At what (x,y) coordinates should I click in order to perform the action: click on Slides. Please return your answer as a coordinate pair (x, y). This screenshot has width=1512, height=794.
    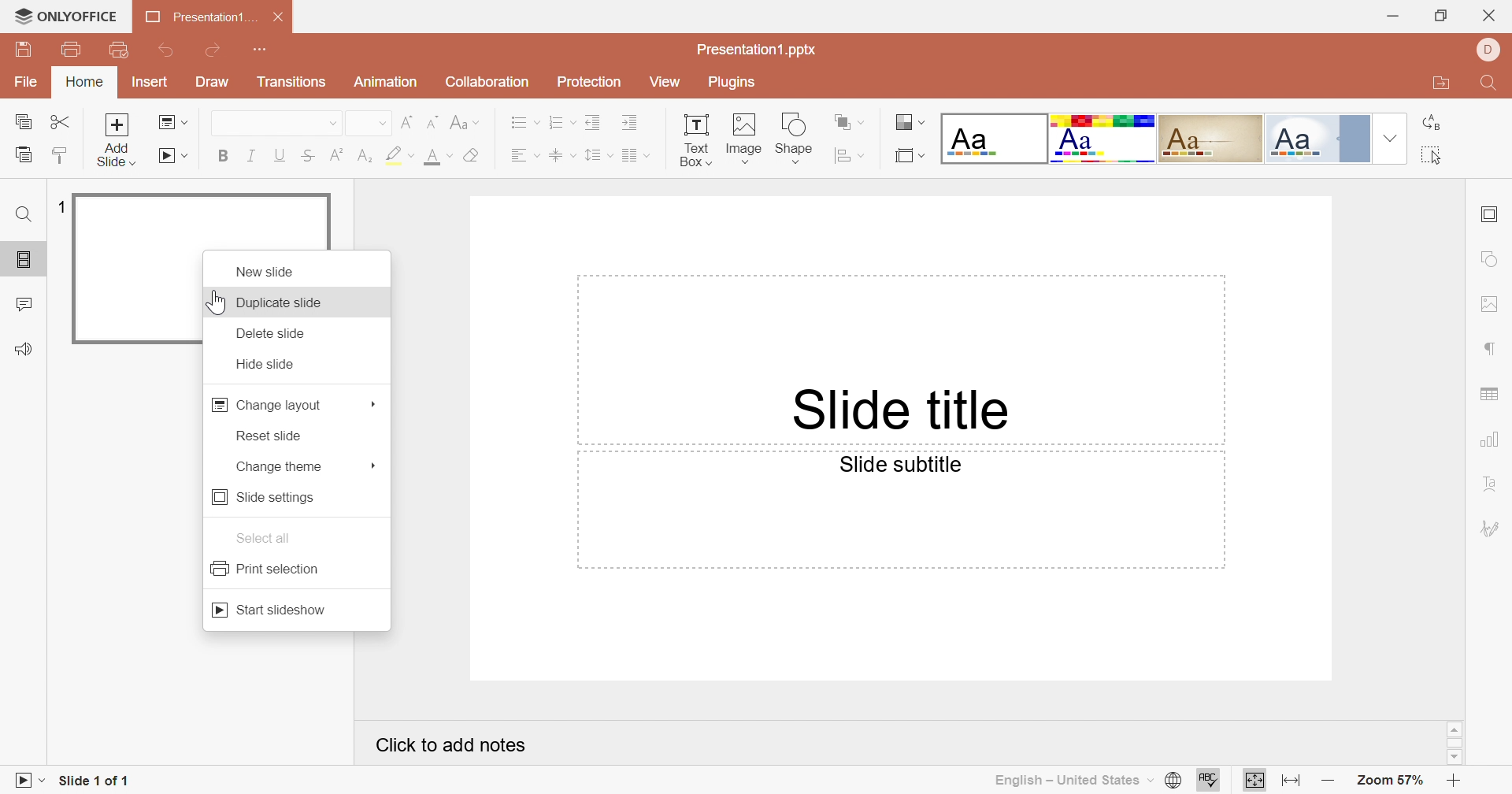
    Looking at the image, I should click on (21, 258).